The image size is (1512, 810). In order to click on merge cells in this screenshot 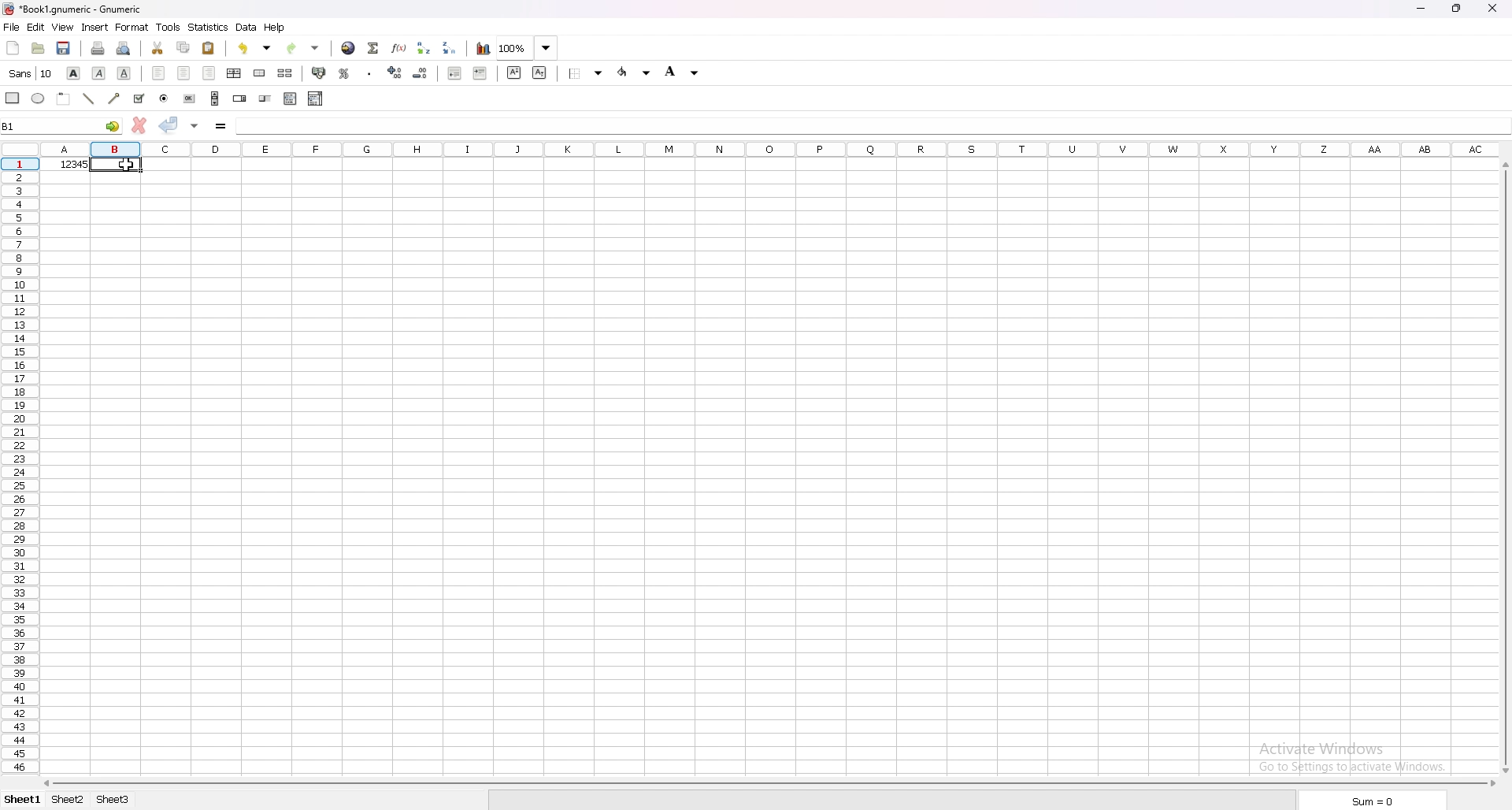, I will do `click(259, 73)`.